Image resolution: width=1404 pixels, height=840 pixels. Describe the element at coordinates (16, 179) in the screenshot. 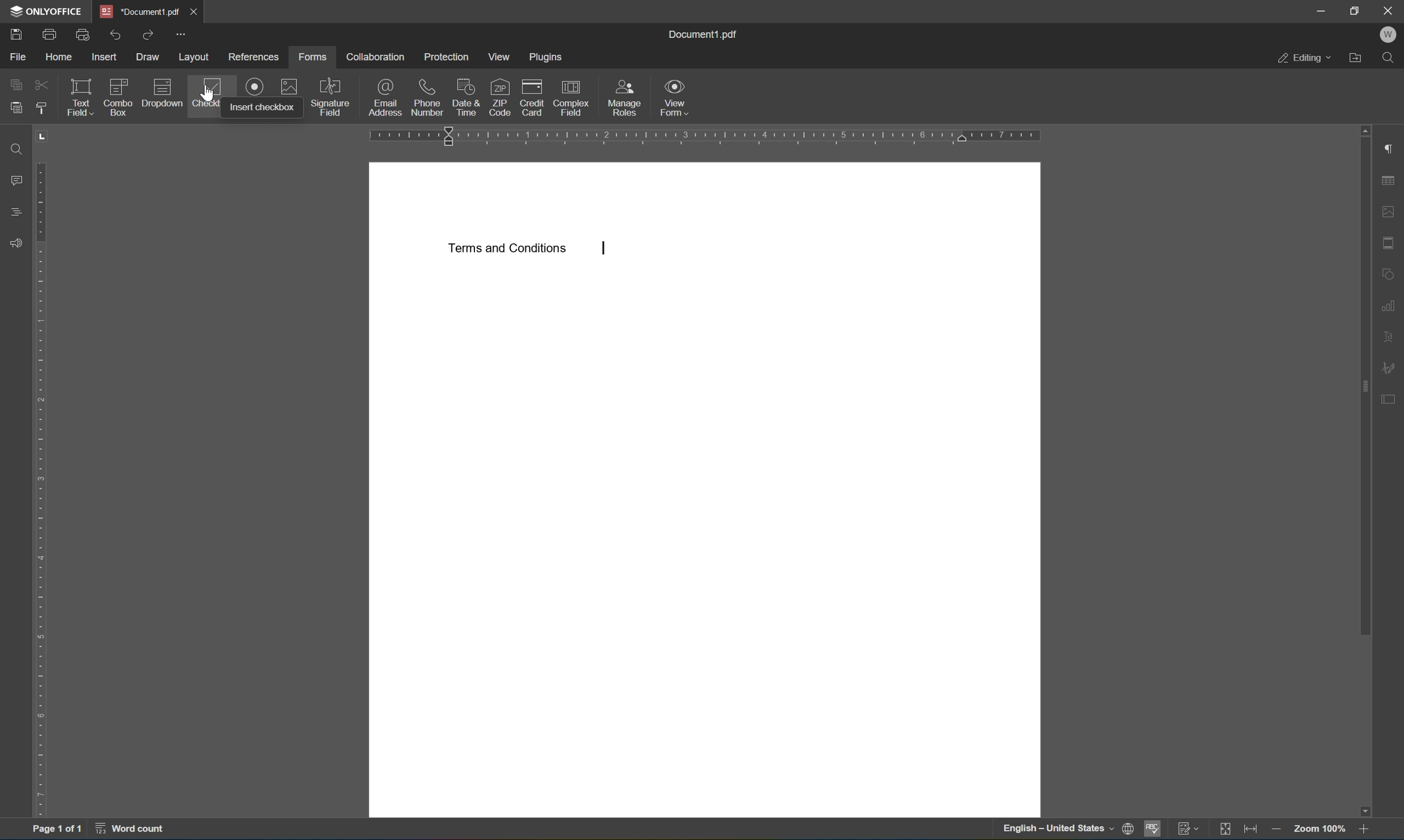

I see `comments` at that location.